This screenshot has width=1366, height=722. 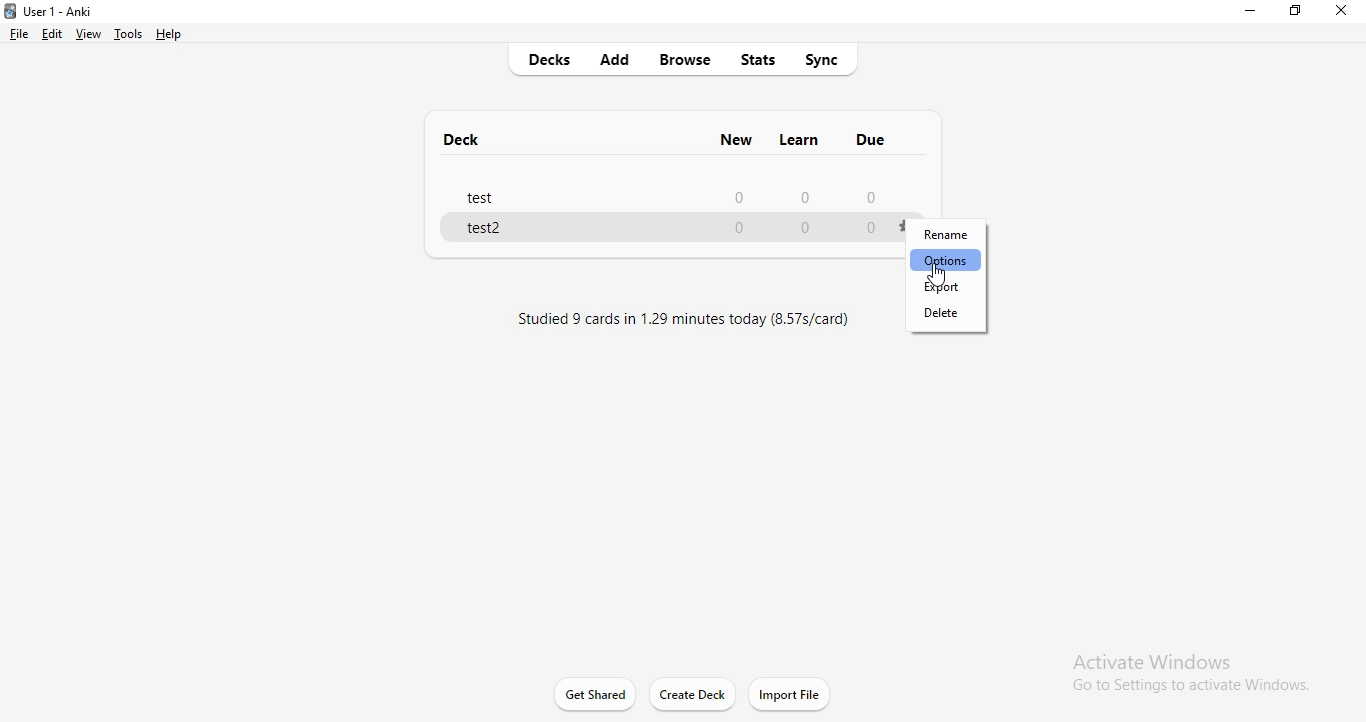 What do you see at coordinates (1297, 13) in the screenshot?
I see `restore` at bounding box center [1297, 13].